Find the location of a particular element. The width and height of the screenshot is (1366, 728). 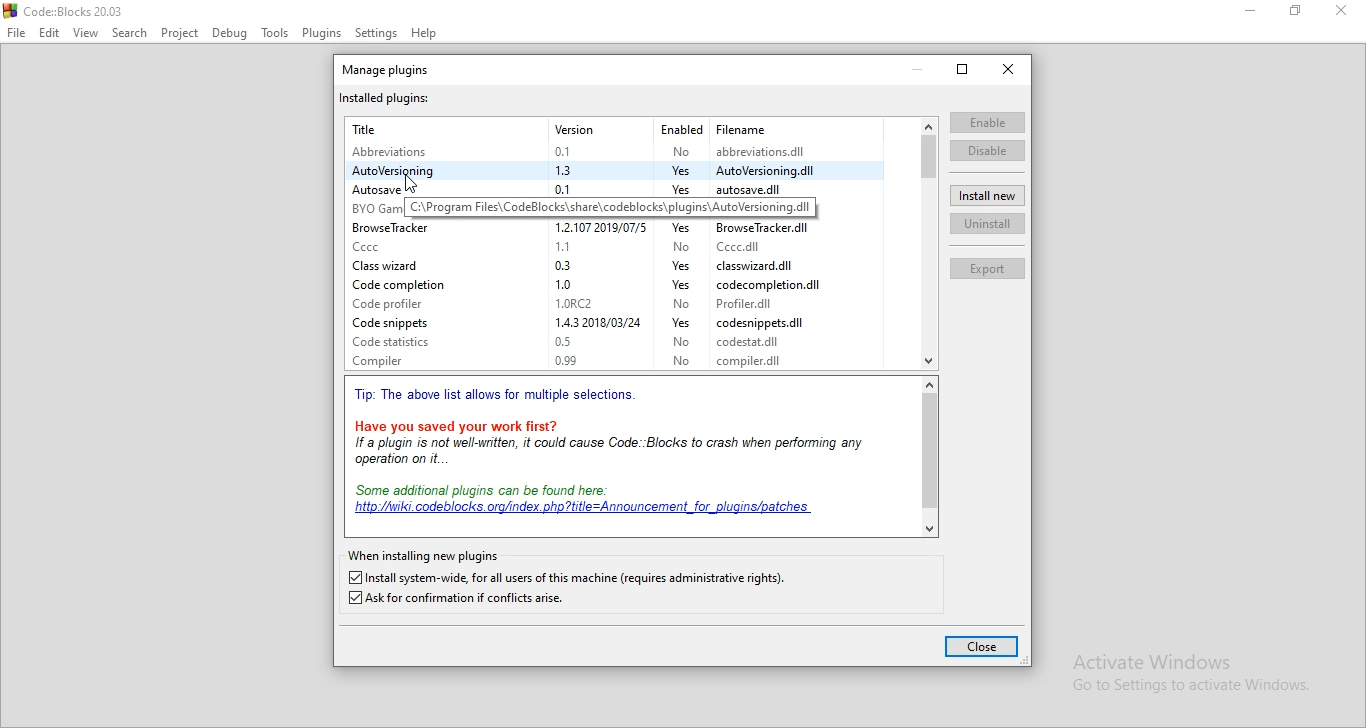

Code: Blocks 20.03 is located at coordinates (77, 11).